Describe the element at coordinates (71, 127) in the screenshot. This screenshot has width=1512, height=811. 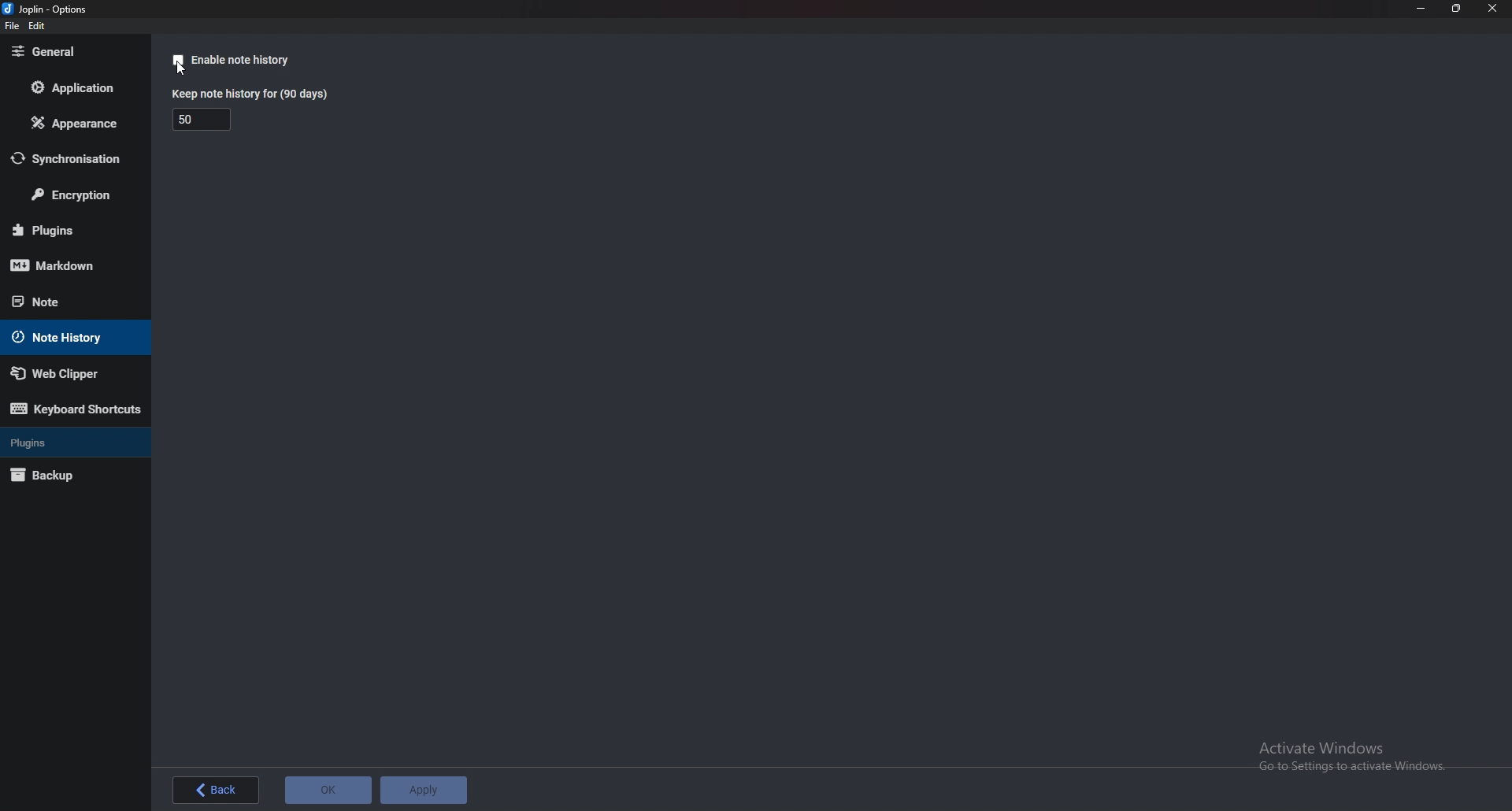
I see `Appearance` at that location.